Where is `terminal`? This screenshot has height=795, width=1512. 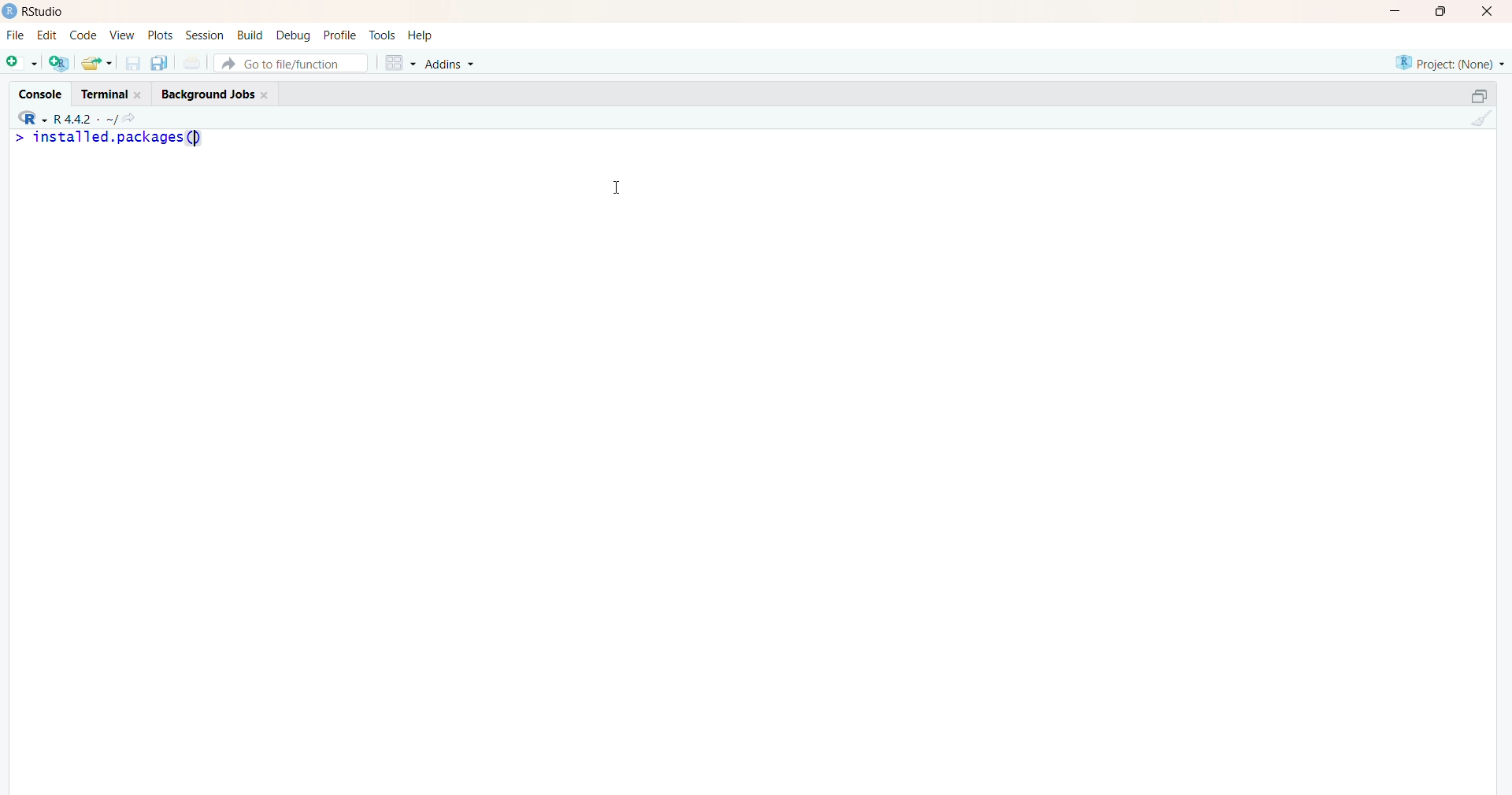
terminal is located at coordinates (111, 93).